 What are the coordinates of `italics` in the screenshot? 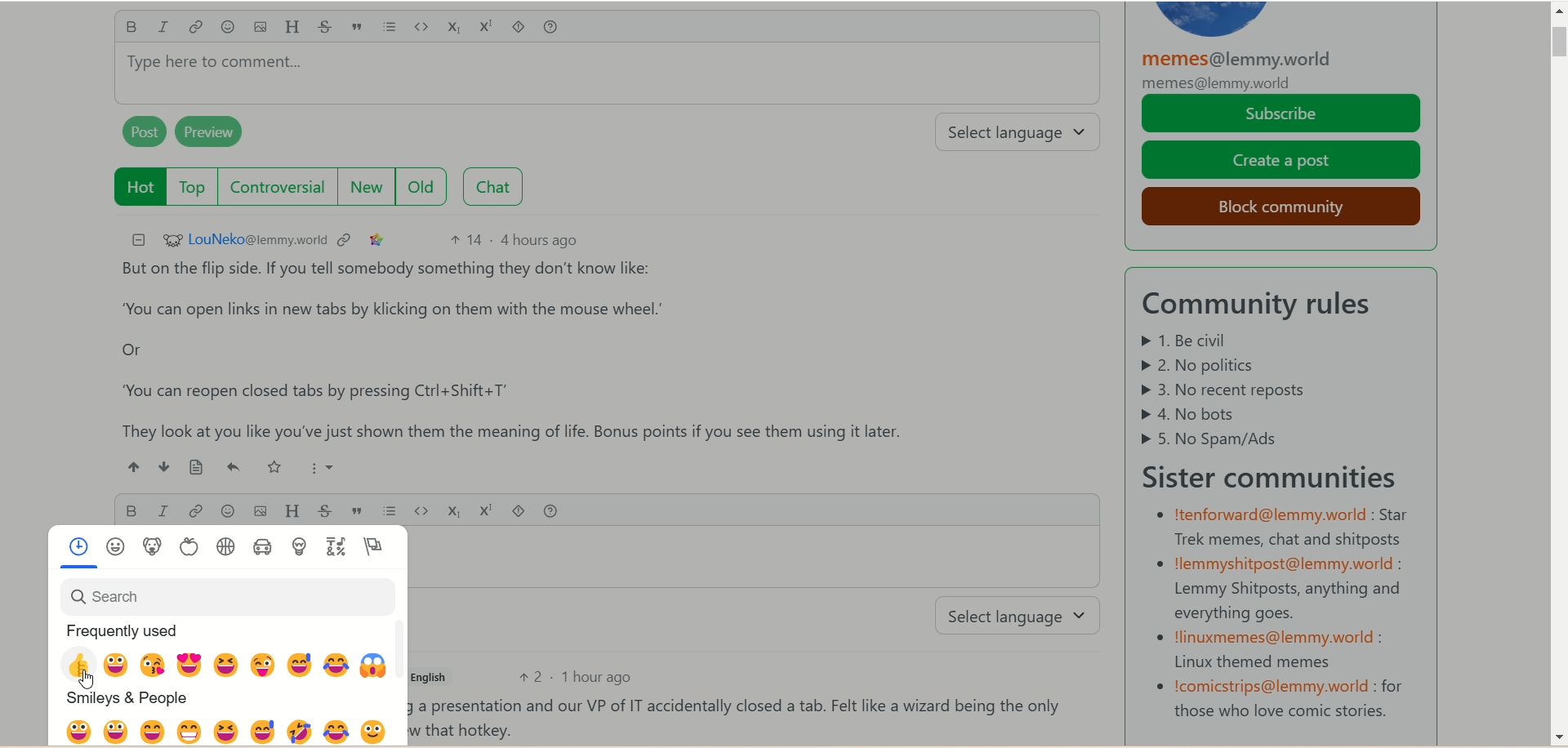 It's located at (161, 510).